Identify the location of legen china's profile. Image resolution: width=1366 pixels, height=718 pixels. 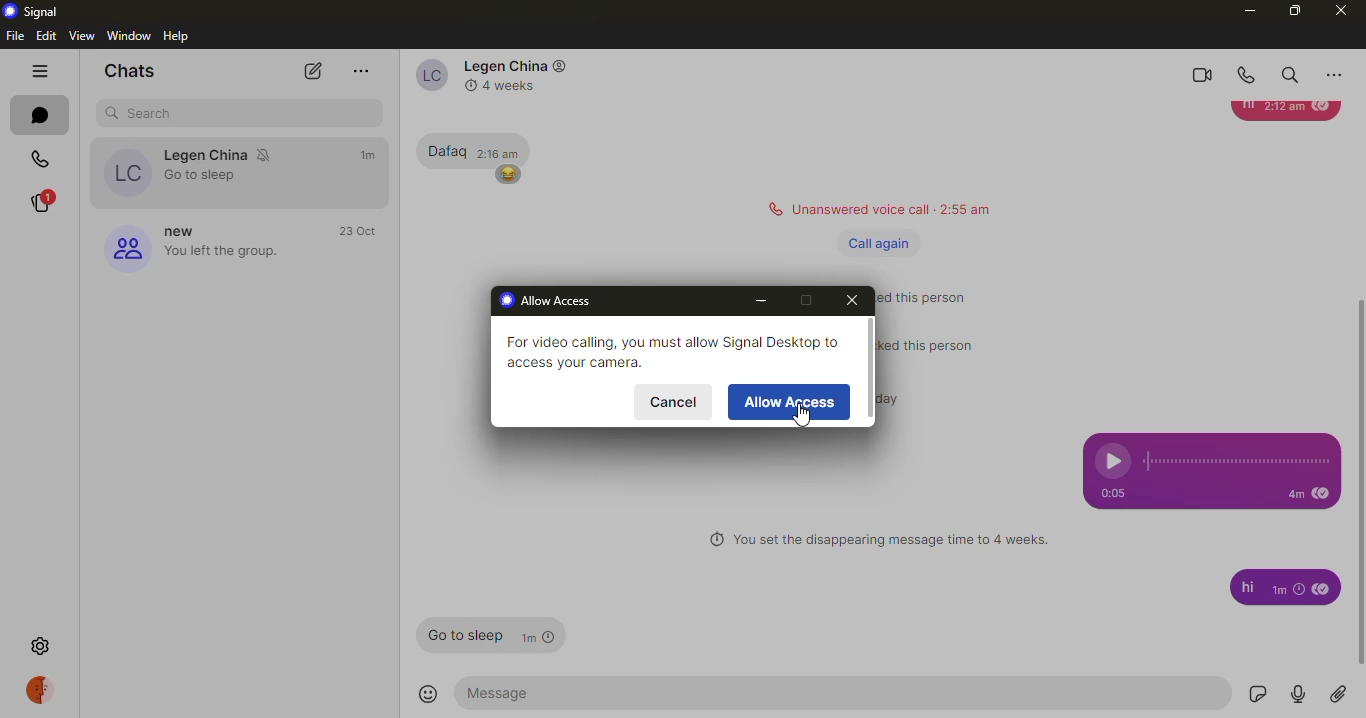
(123, 173).